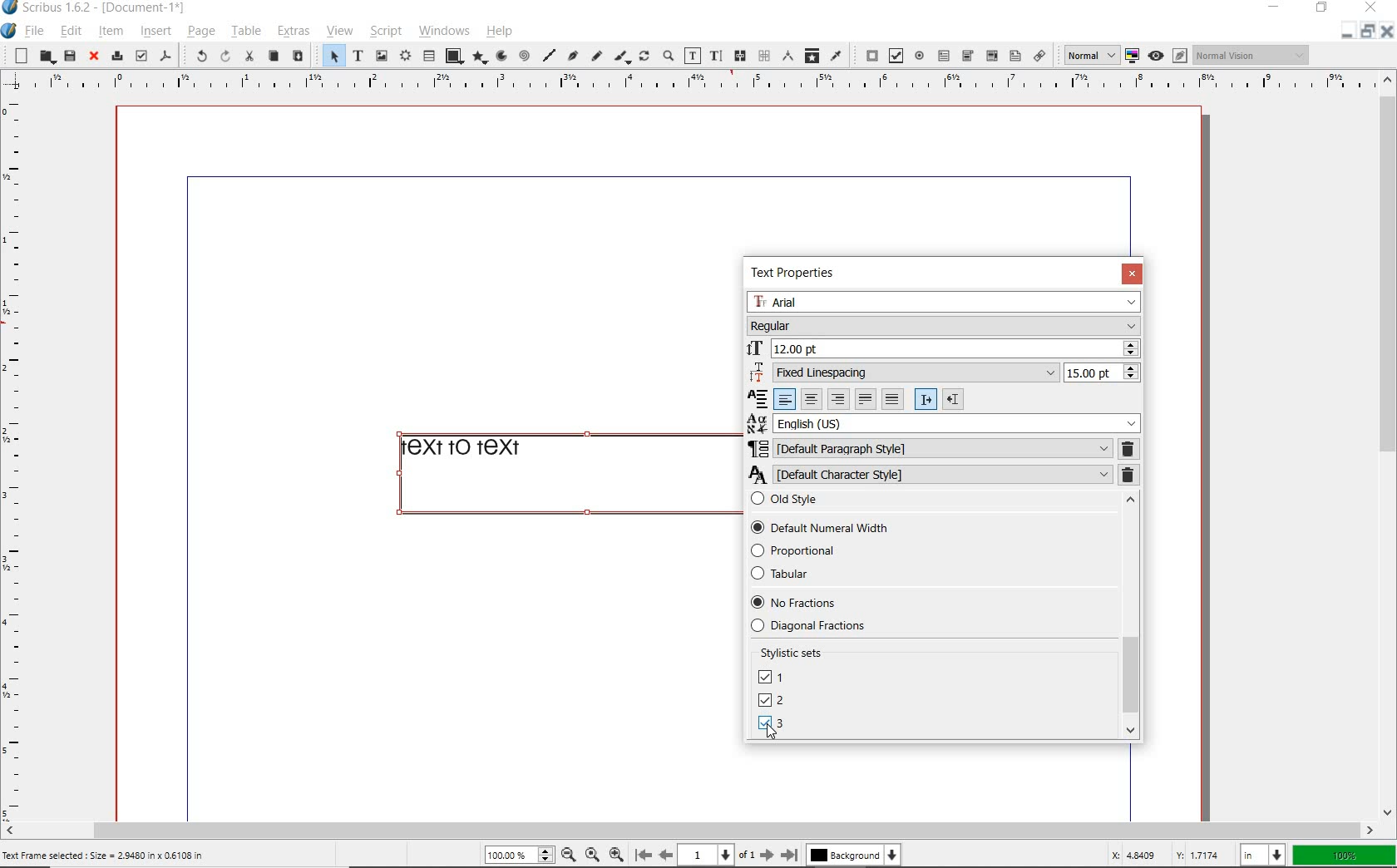  Describe the element at coordinates (1100, 373) in the screenshot. I see `15.00 pt` at that location.